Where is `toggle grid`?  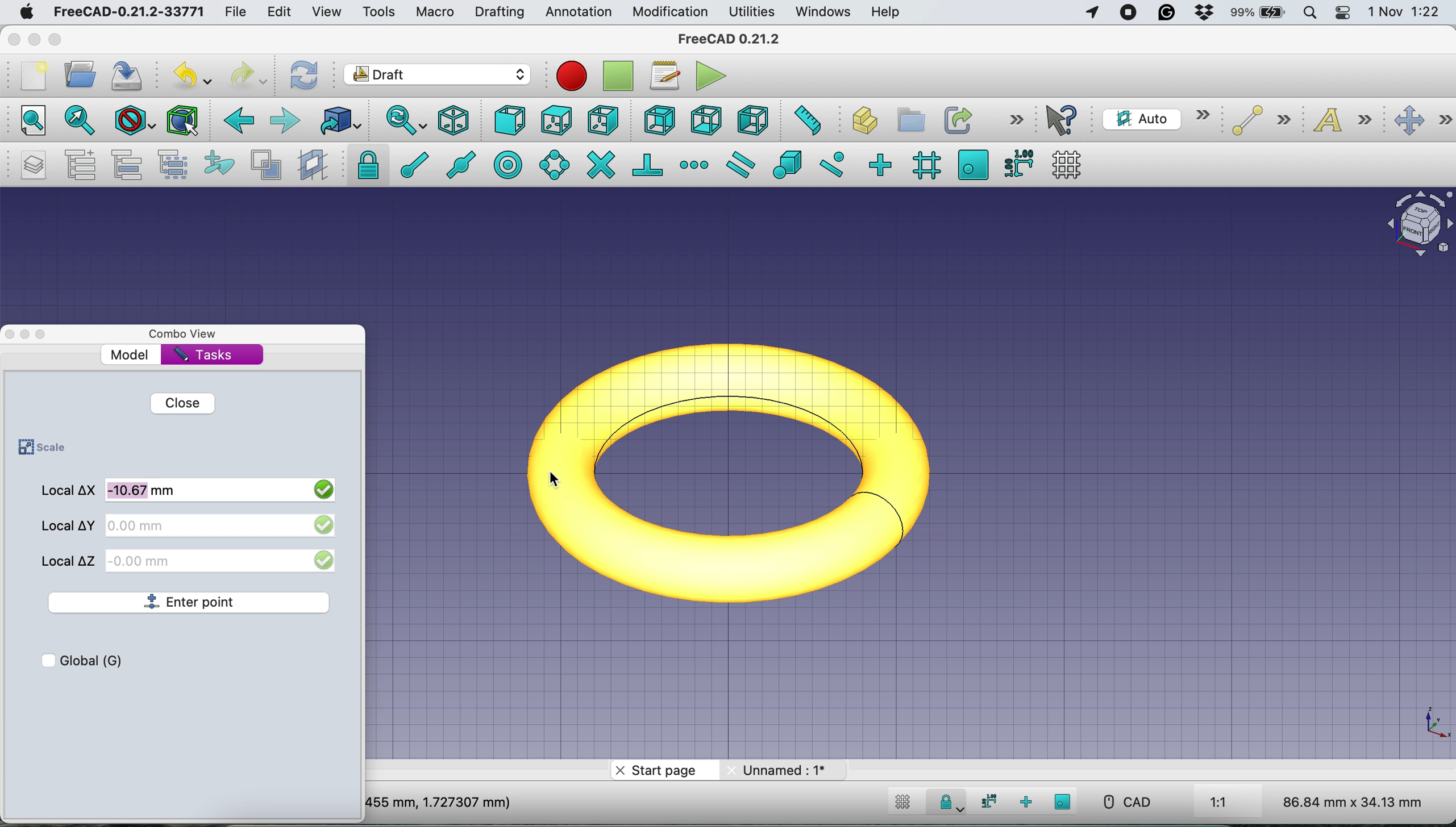 toggle grid is located at coordinates (1071, 164).